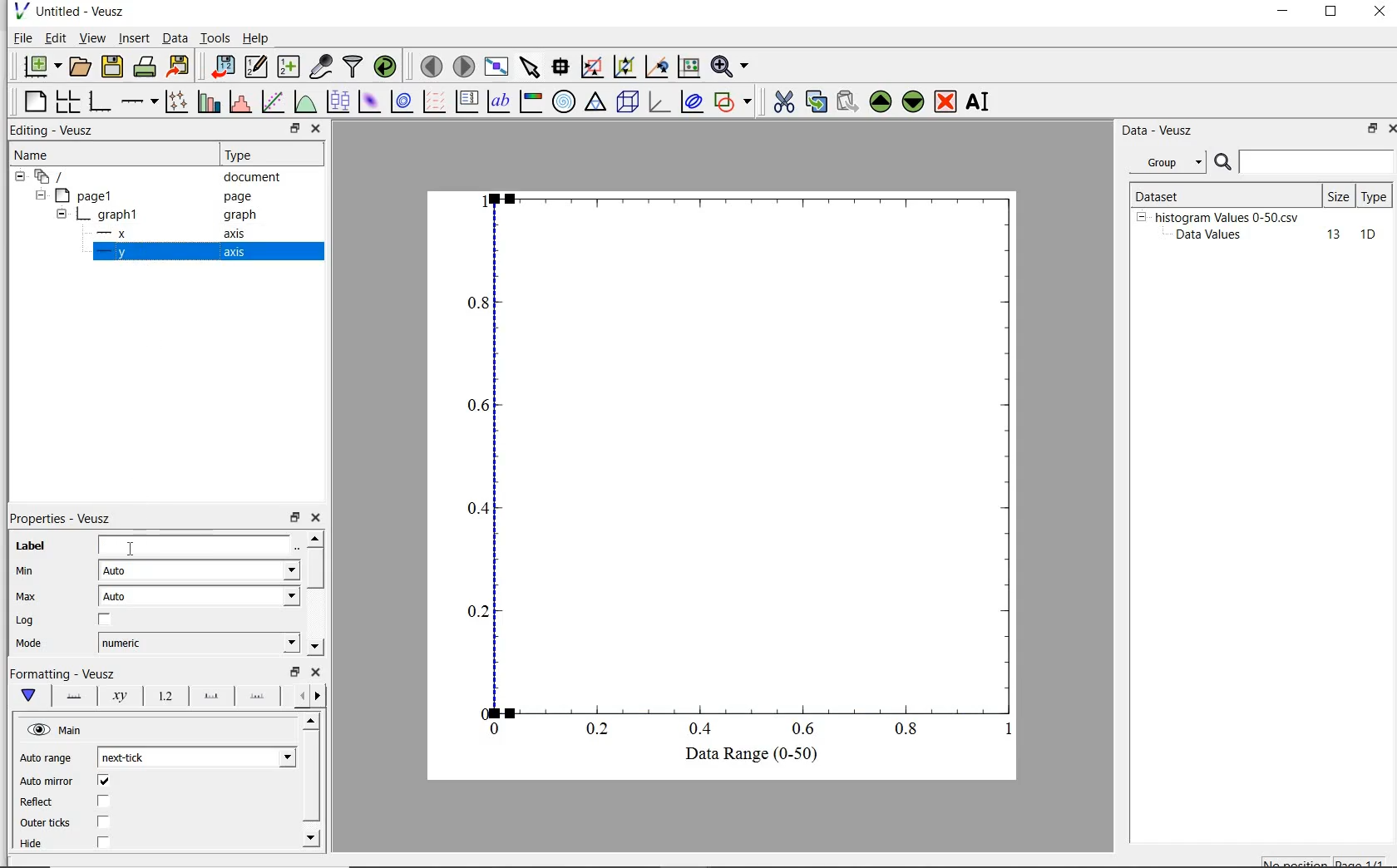 The image size is (1397, 868). What do you see at coordinates (1331, 13) in the screenshot?
I see `restore down` at bounding box center [1331, 13].